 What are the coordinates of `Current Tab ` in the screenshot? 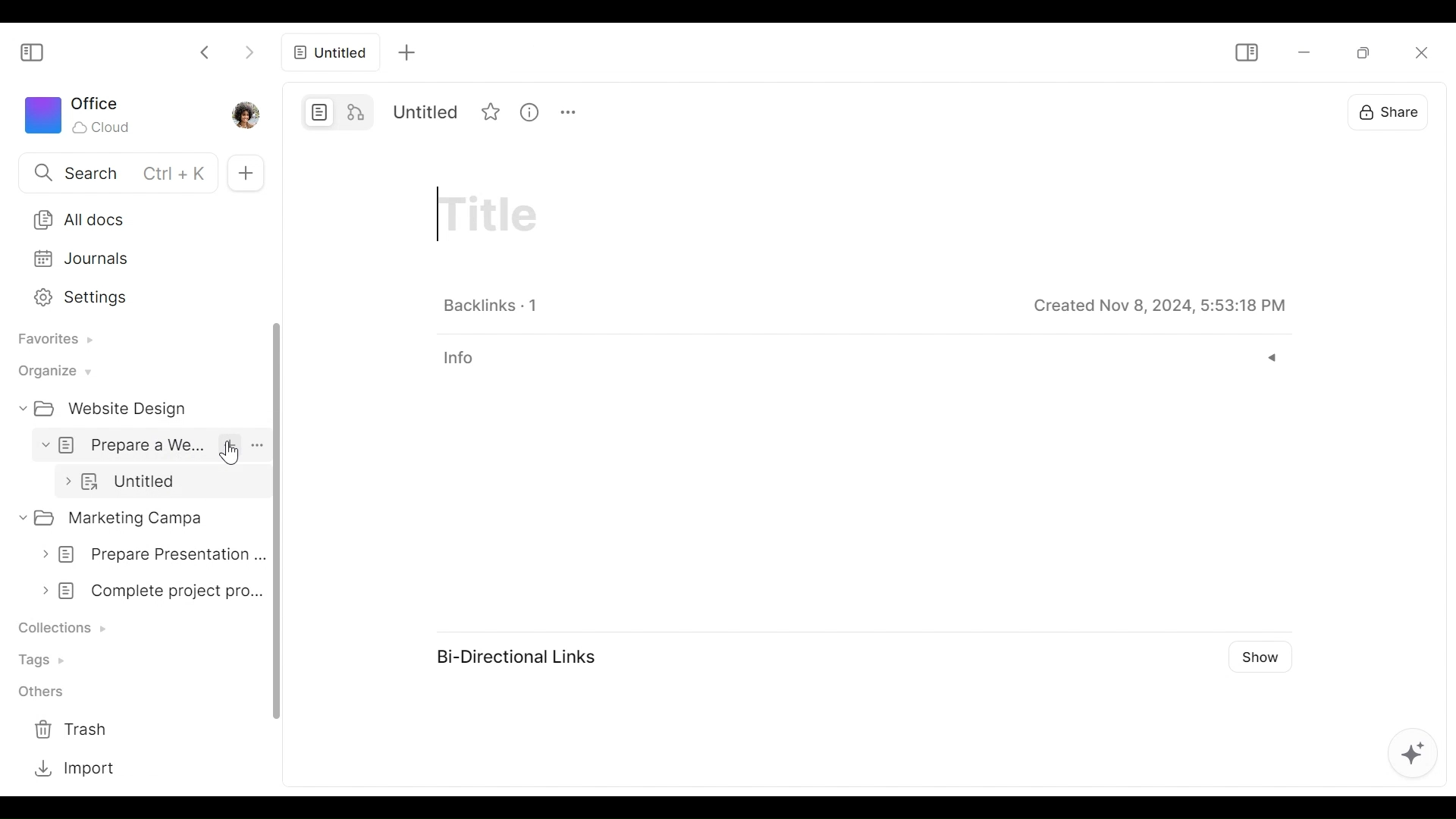 It's located at (327, 52).